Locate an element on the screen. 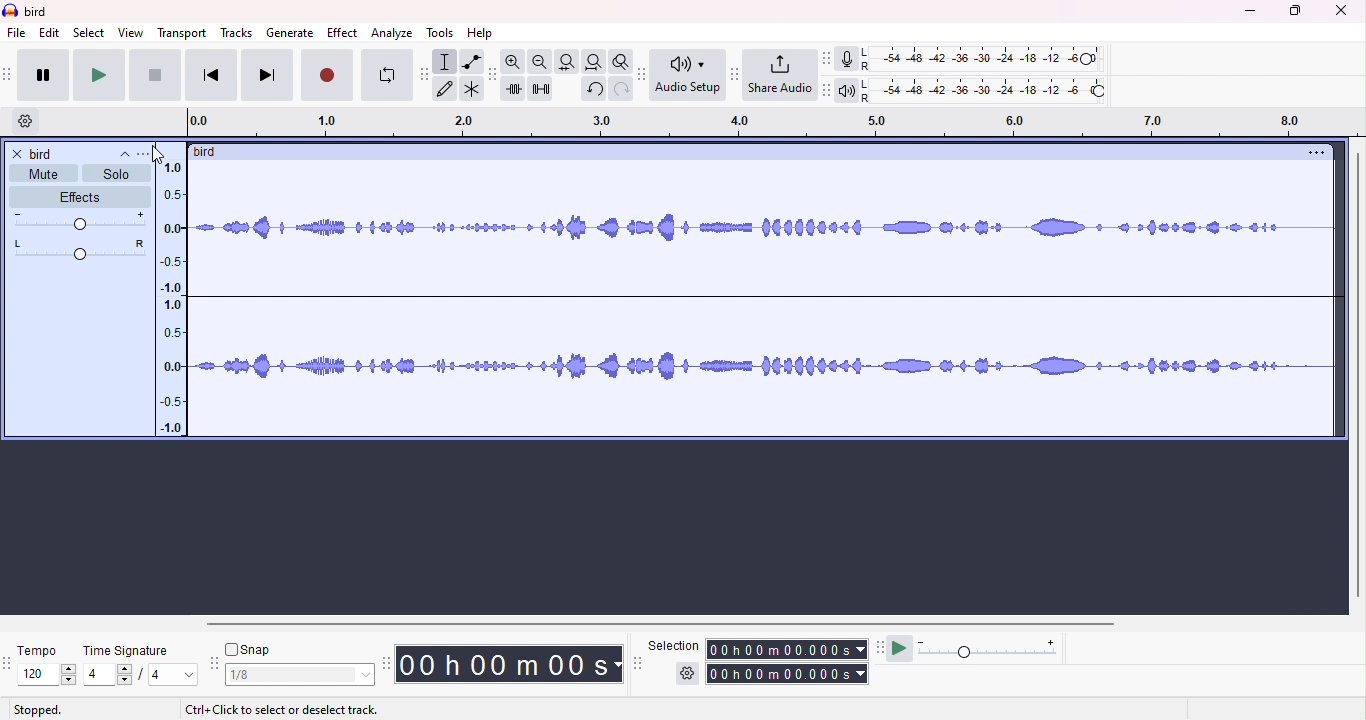 The width and height of the screenshot is (1366, 720). effect is located at coordinates (342, 32).